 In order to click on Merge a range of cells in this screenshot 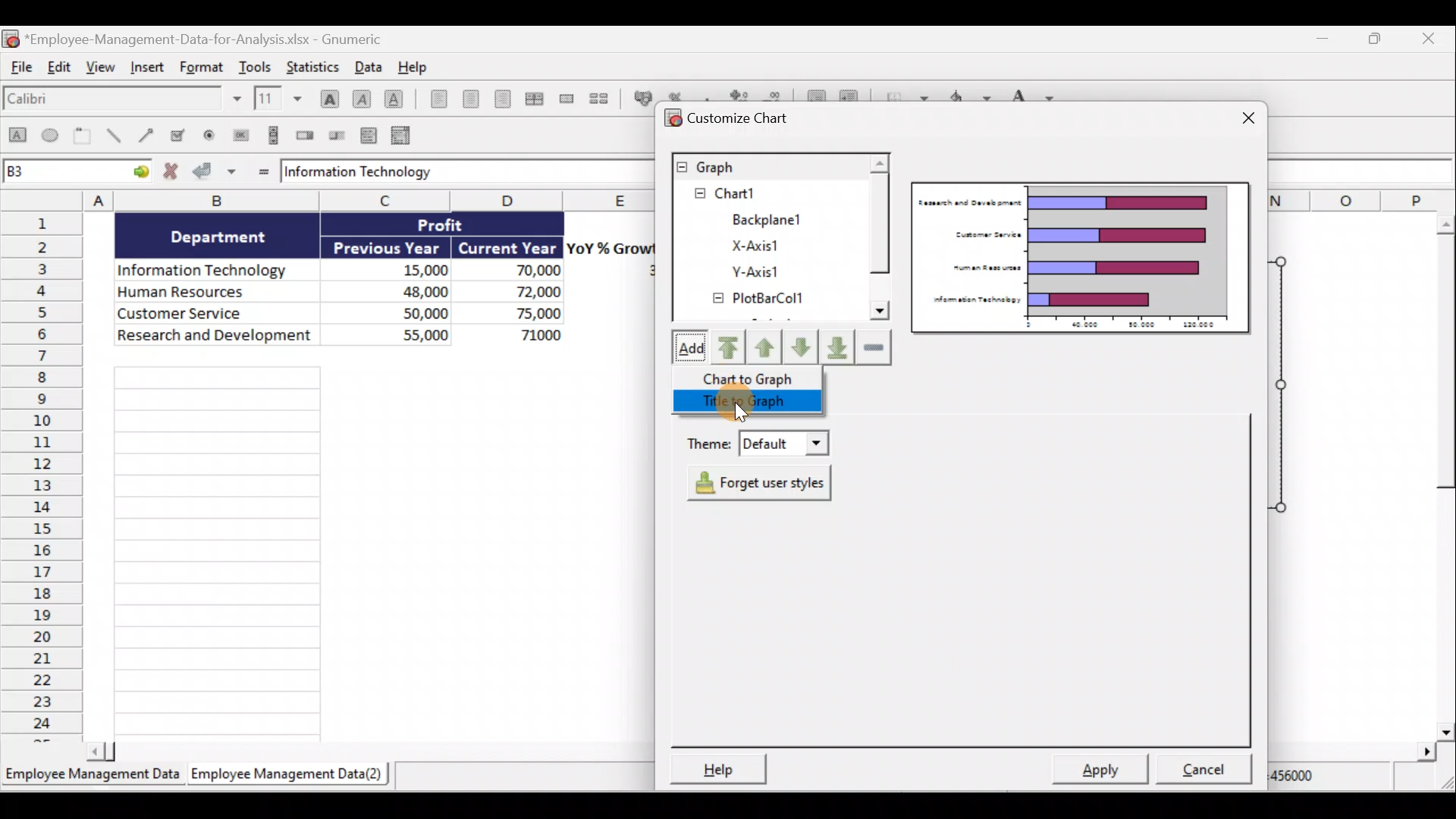, I will do `click(566, 99)`.